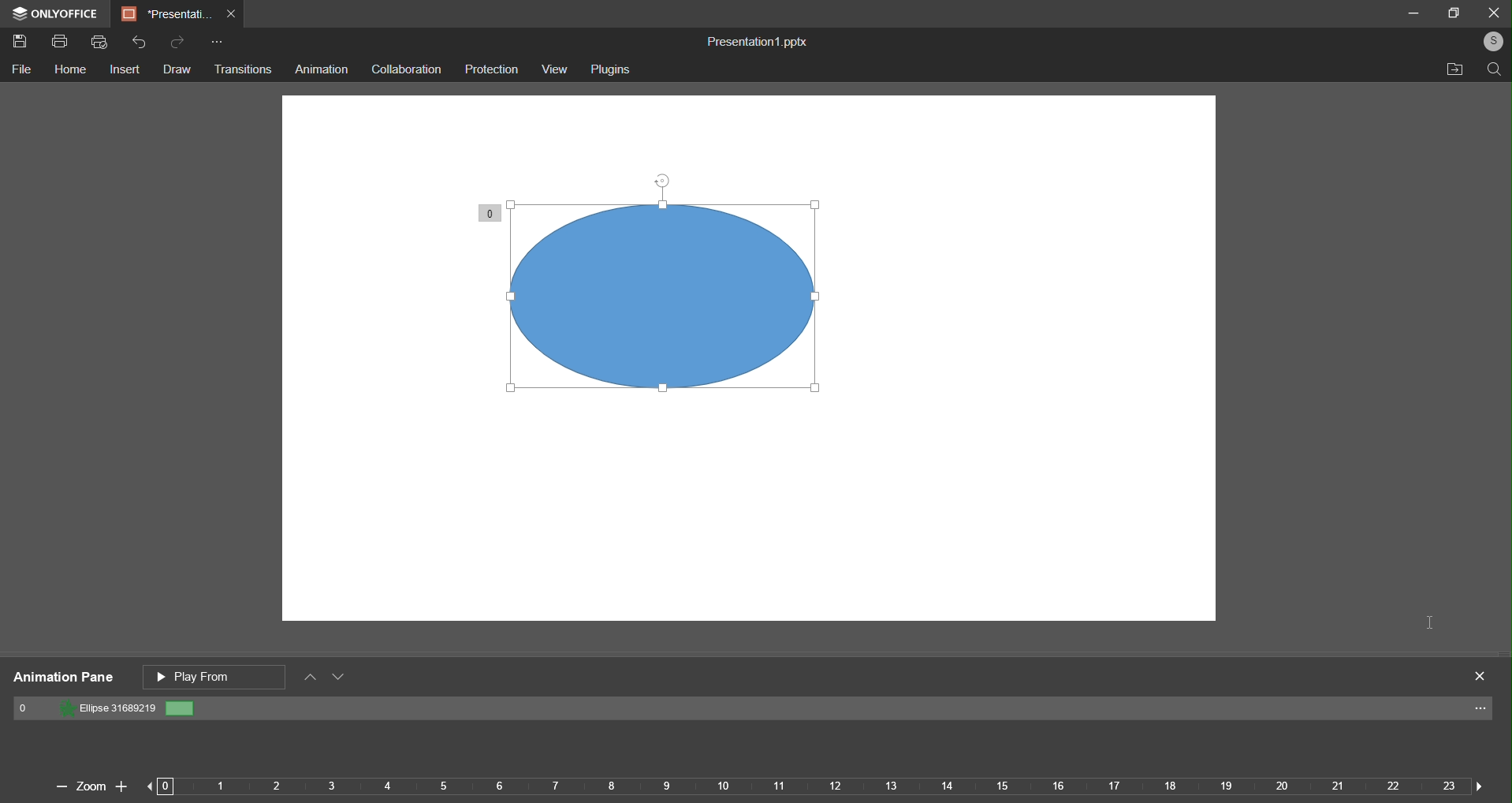 This screenshot has height=803, width=1512. What do you see at coordinates (102, 43) in the screenshot?
I see `Quick Print` at bounding box center [102, 43].